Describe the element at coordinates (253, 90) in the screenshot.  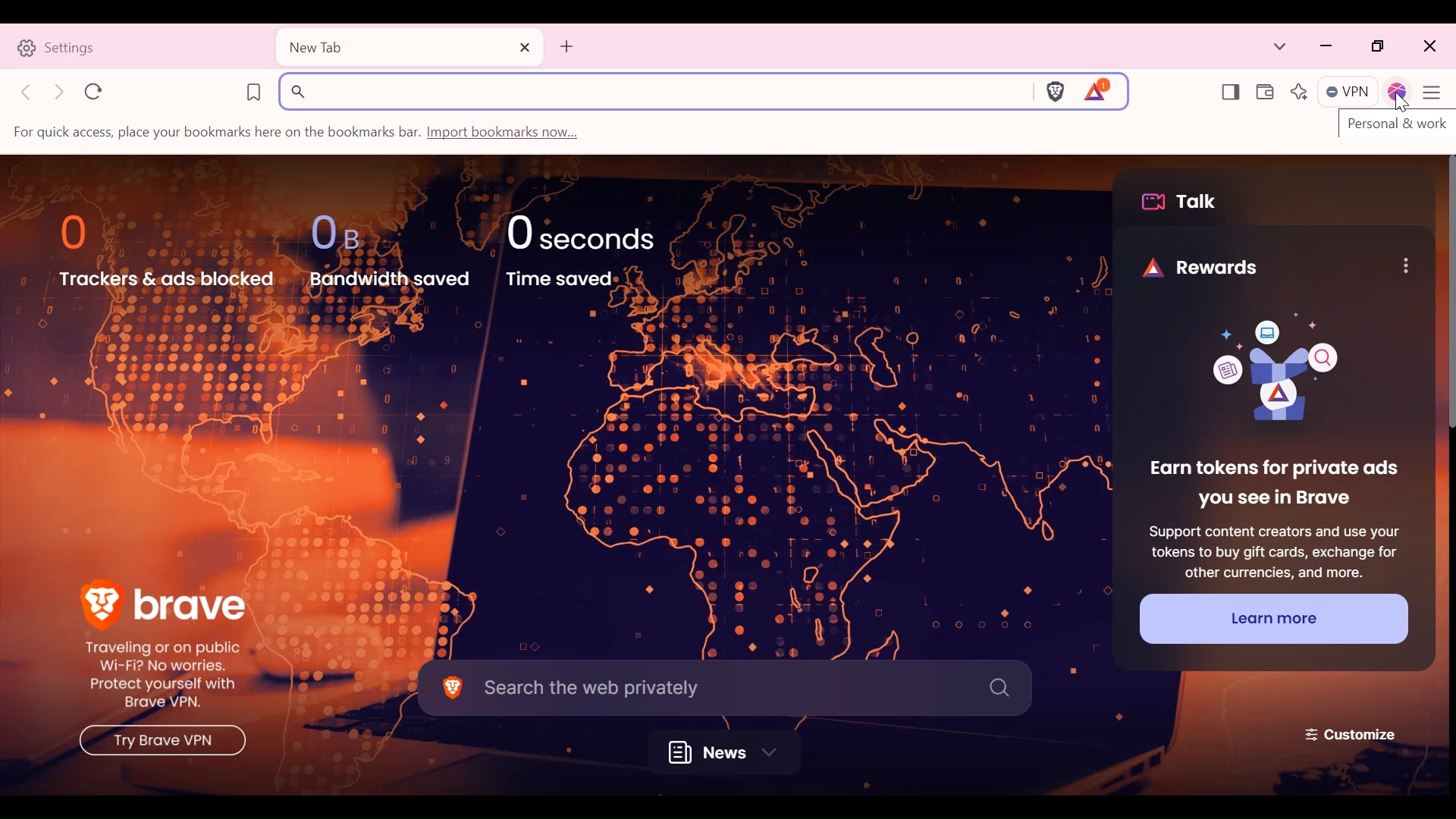
I see `Bookmark this page` at that location.